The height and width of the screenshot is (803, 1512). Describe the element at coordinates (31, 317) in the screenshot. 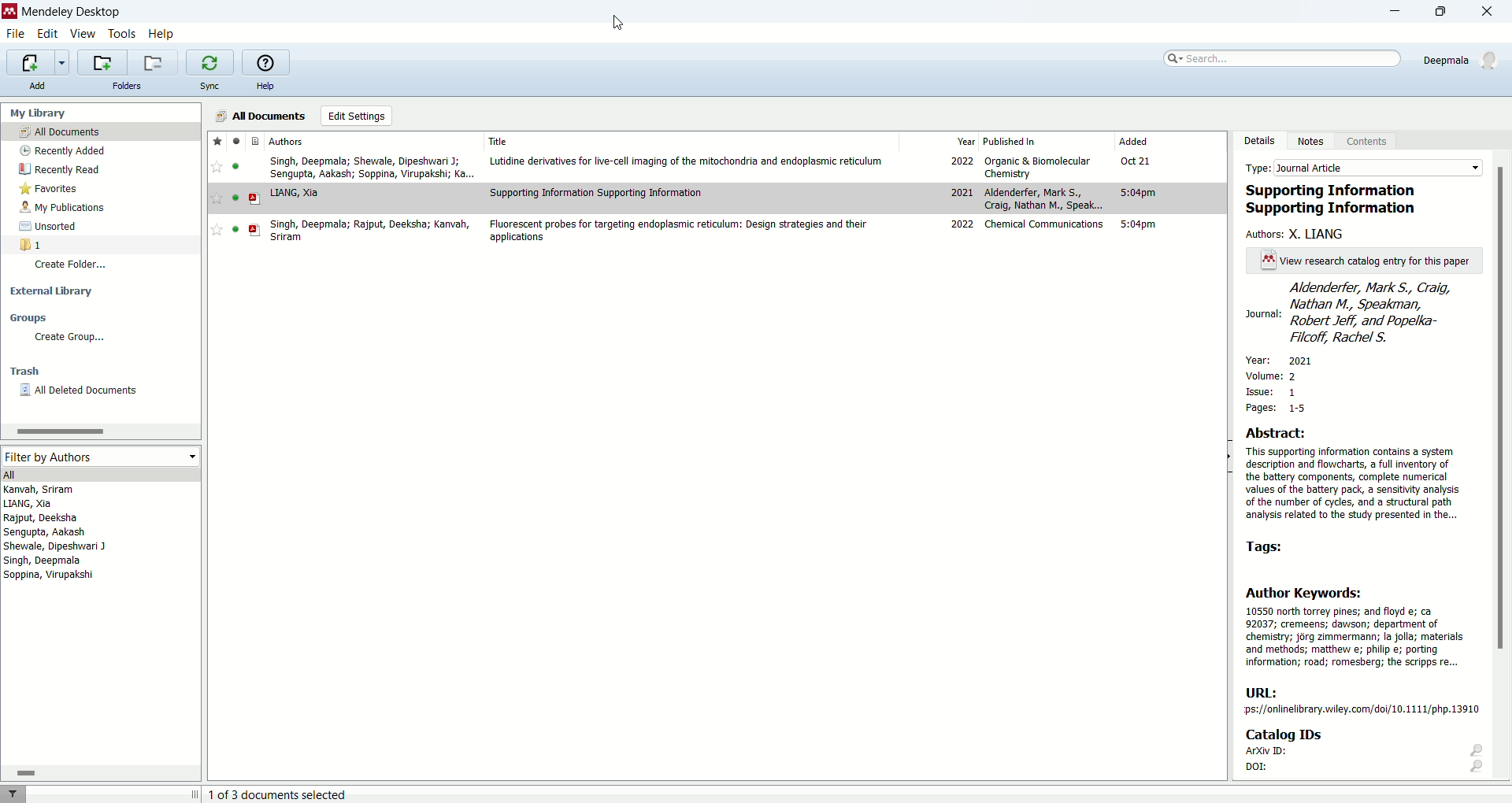

I see `groups` at that location.